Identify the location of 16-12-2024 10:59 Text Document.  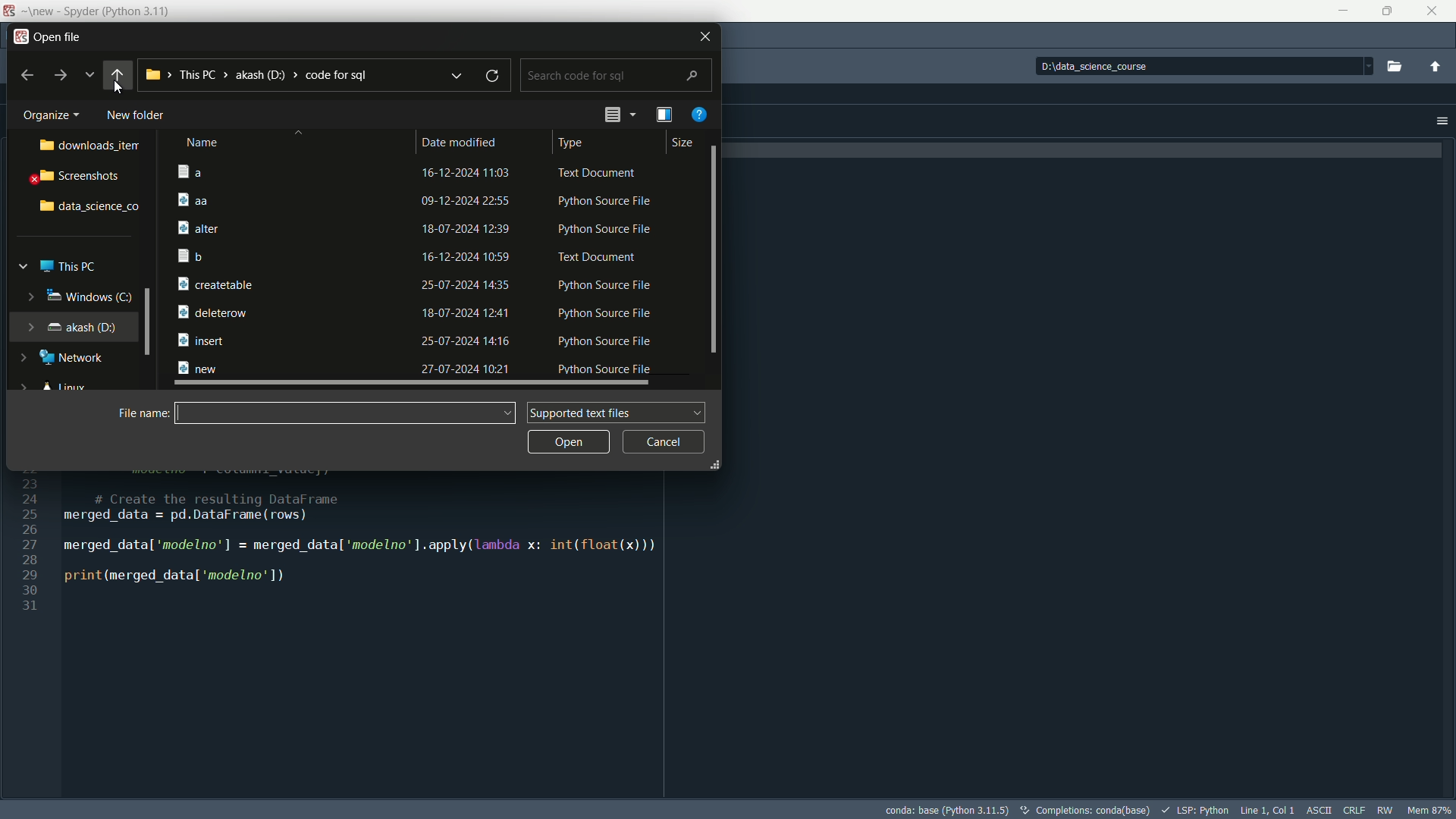
(483, 255).